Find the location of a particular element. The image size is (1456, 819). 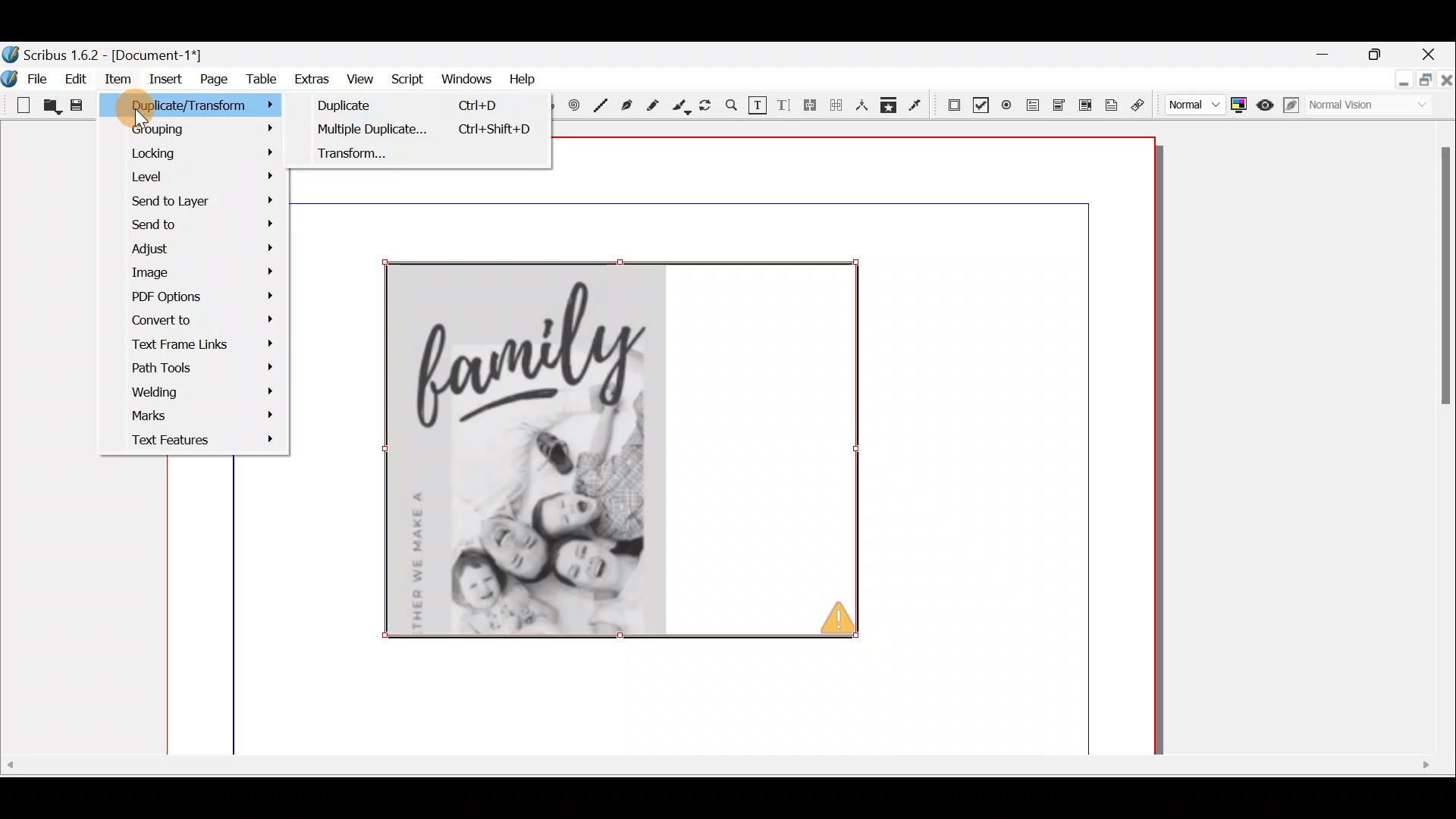

Link text frames is located at coordinates (811, 108).